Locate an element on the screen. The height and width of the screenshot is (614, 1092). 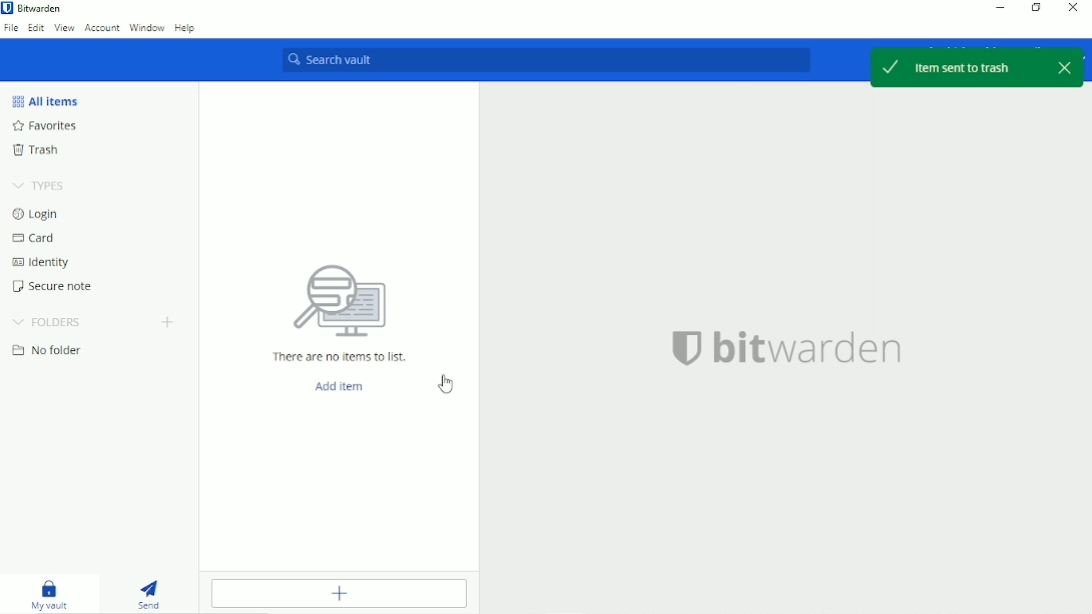
Types is located at coordinates (42, 186).